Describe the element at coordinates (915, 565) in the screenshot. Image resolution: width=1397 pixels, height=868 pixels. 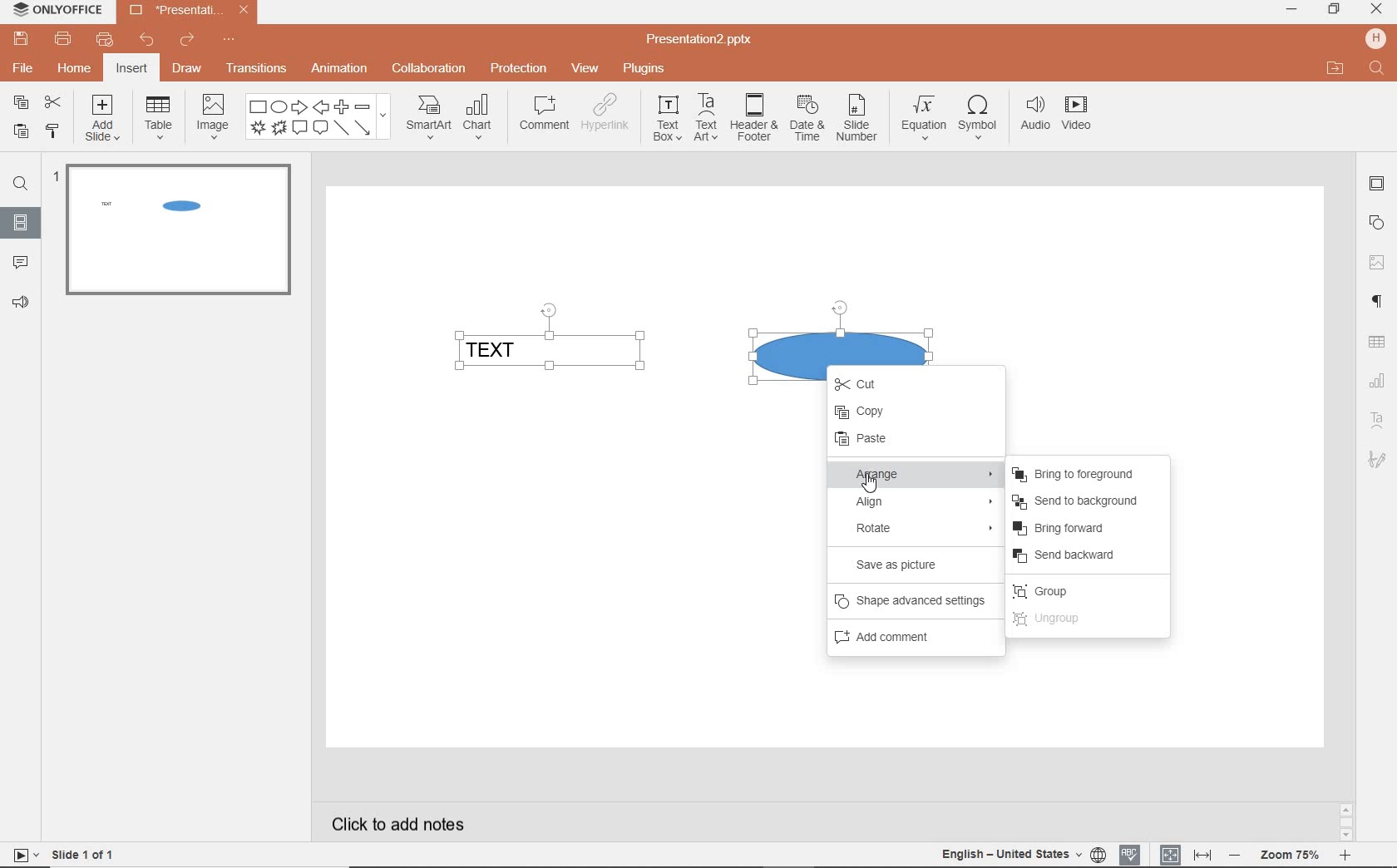
I see `SAVE AS PICTURE` at that location.